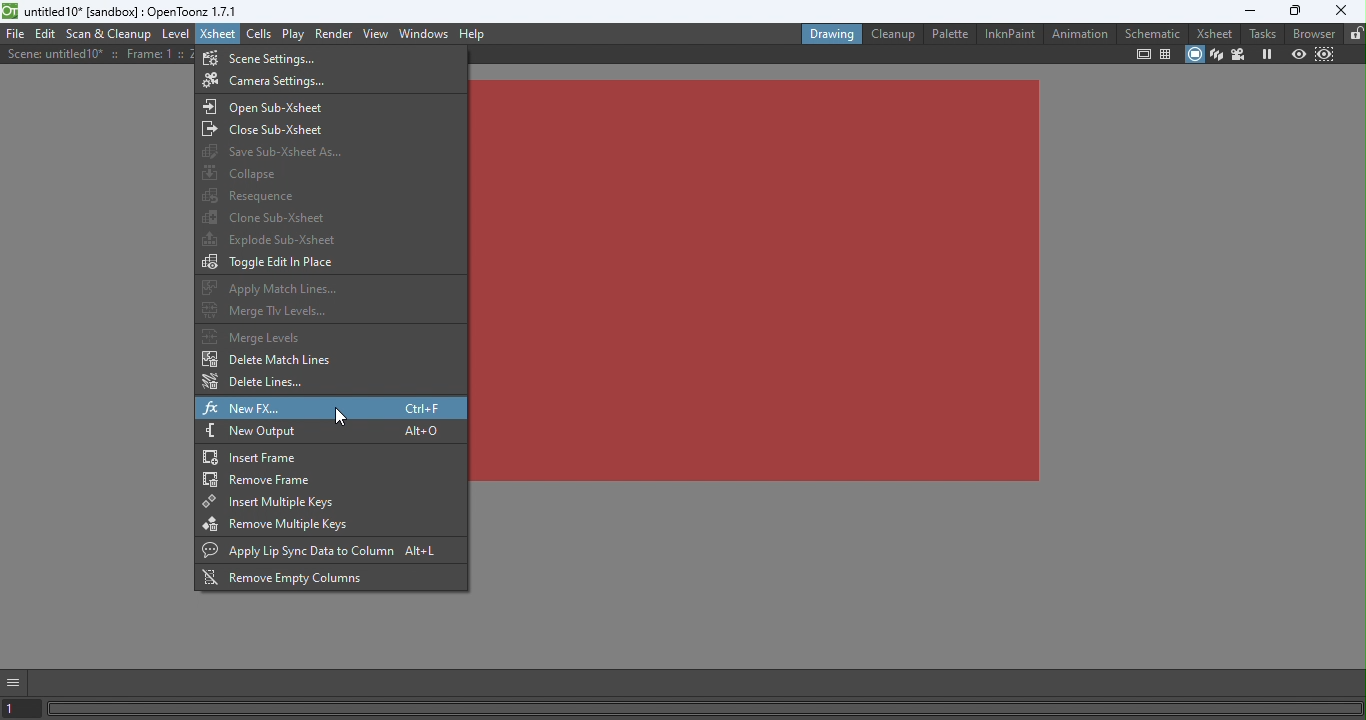  I want to click on Explode sub-Xsheet, so click(271, 240).